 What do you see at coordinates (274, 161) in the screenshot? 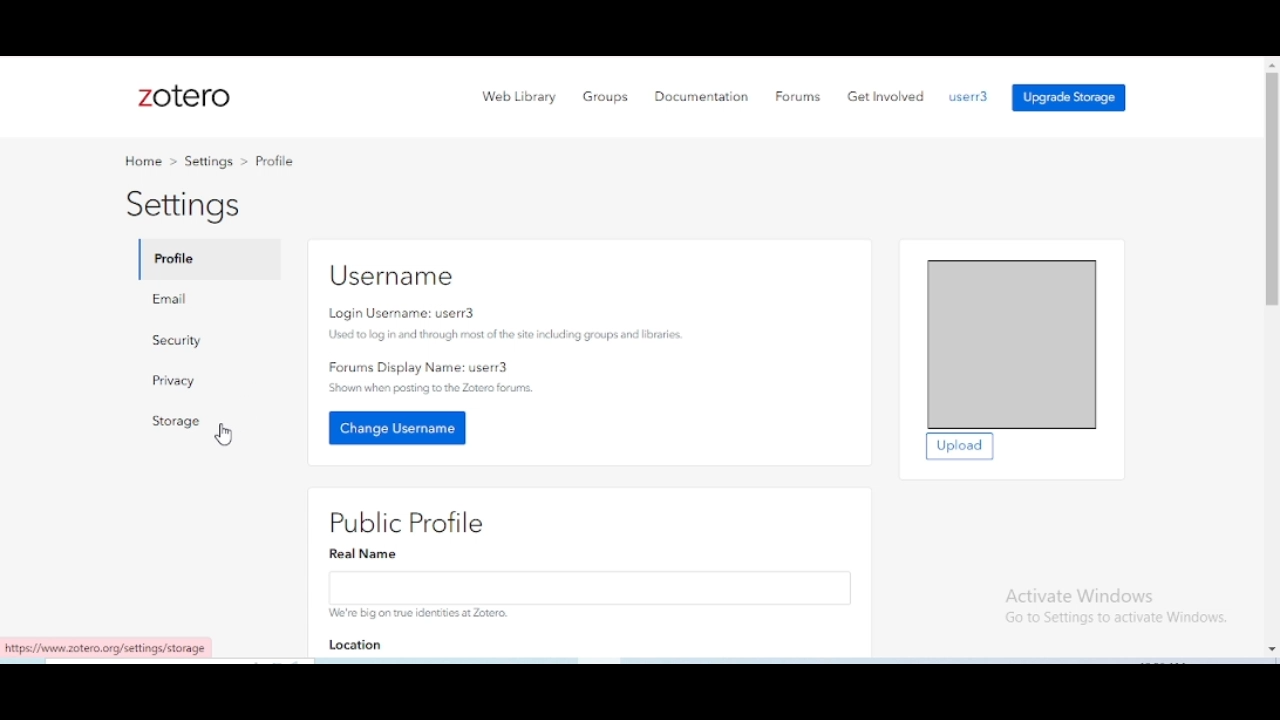
I see `profile` at bounding box center [274, 161].